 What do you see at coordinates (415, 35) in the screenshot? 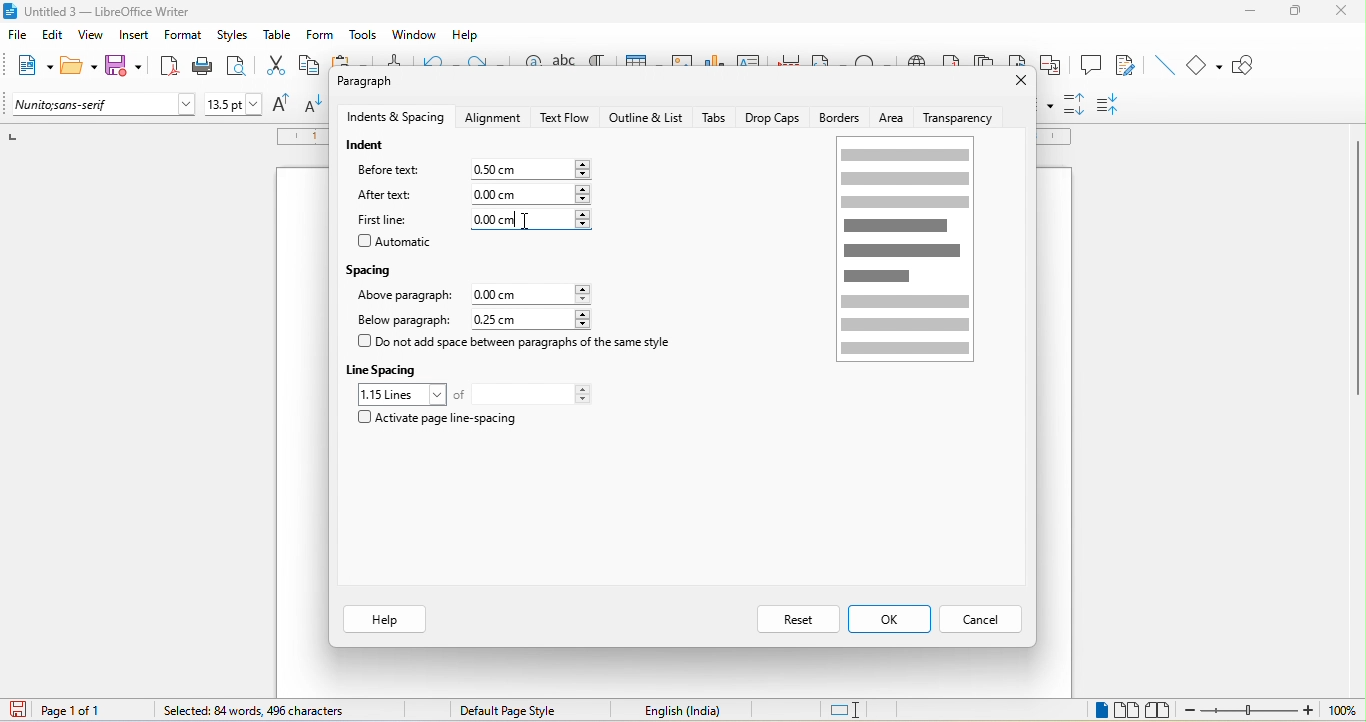
I see `window` at bounding box center [415, 35].